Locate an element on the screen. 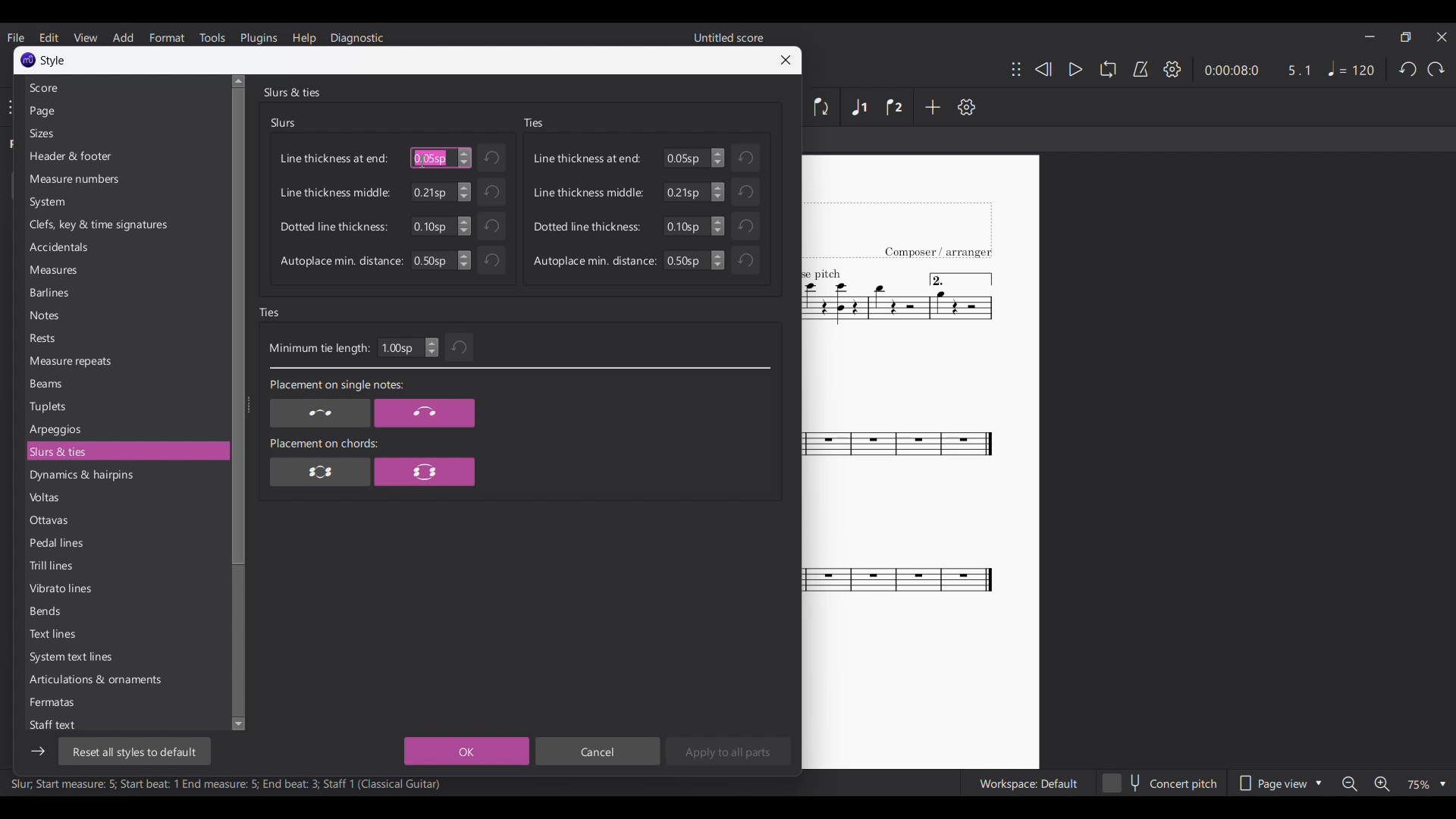 The image size is (1456, 819). Text lines is located at coordinates (125, 634).